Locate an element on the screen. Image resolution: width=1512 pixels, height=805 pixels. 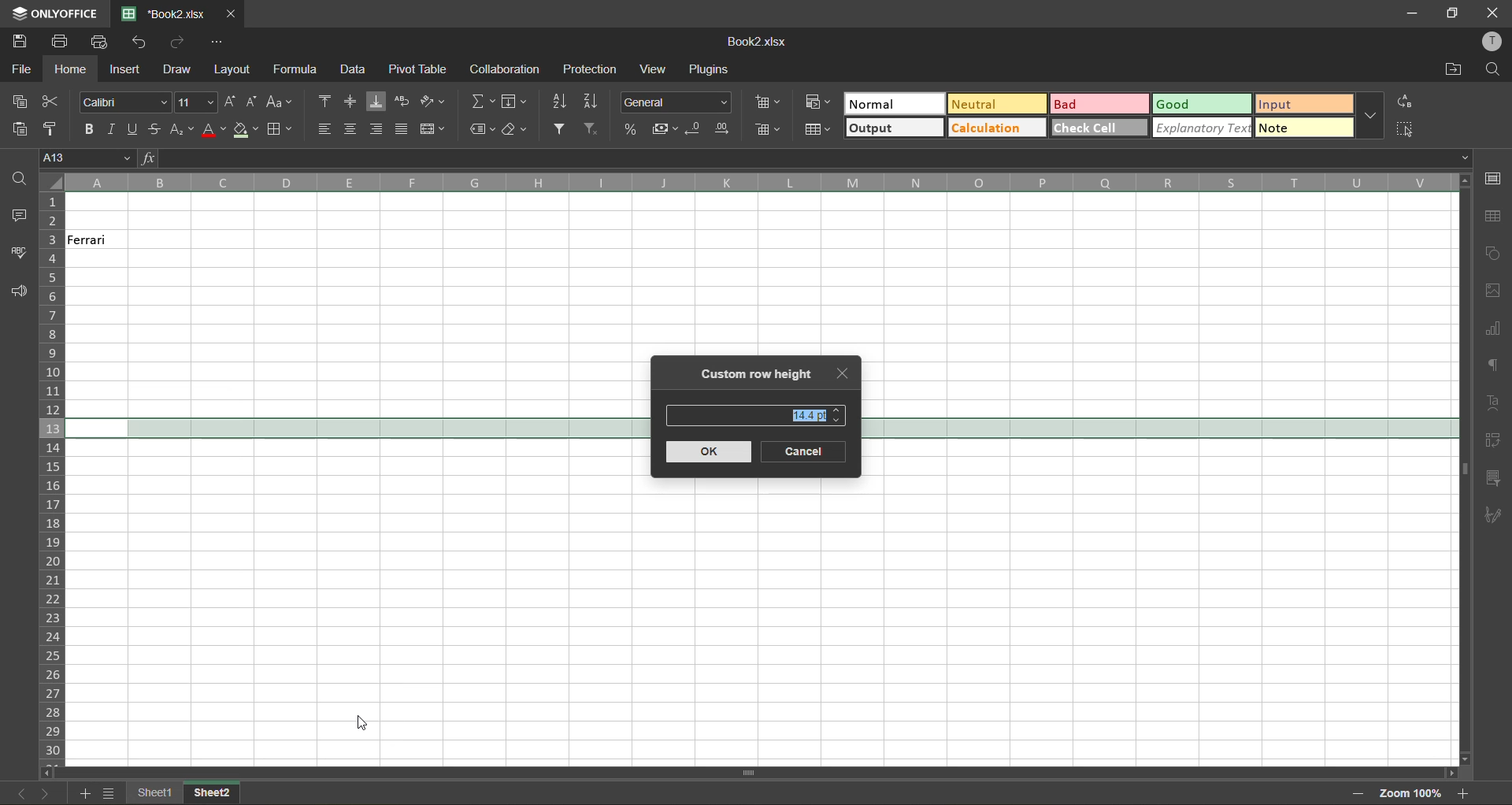
fields is located at coordinates (514, 103).